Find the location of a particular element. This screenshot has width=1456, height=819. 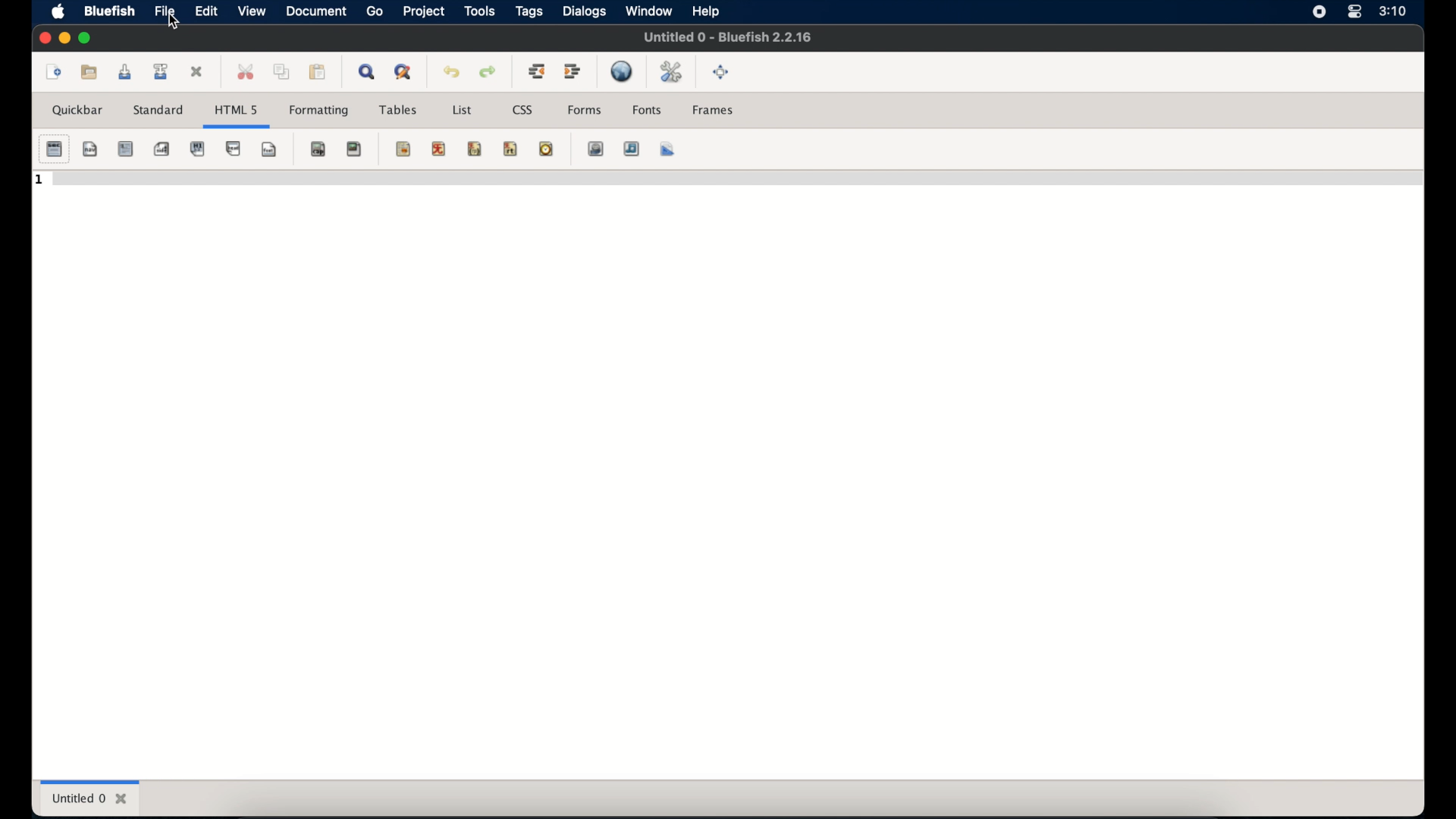

break is located at coordinates (234, 149).